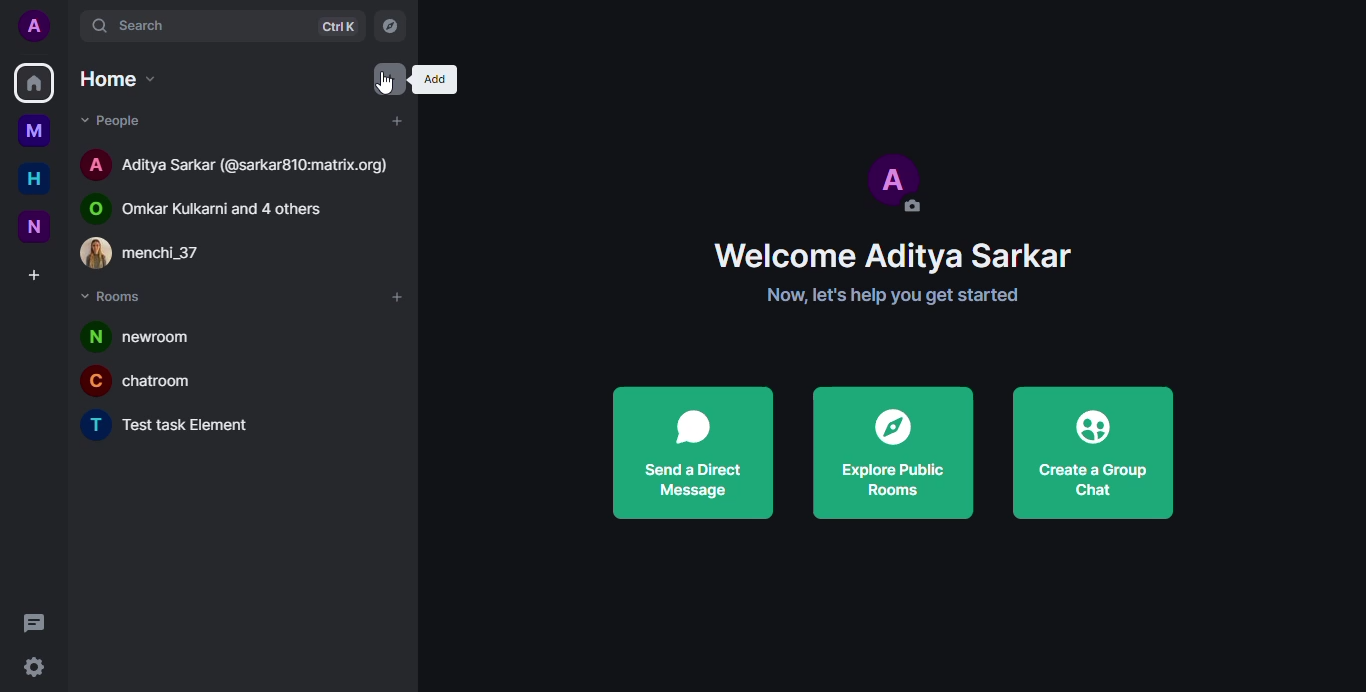 Image resolution: width=1366 pixels, height=692 pixels. Describe the element at coordinates (396, 120) in the screenshot. I see `add` at that location.